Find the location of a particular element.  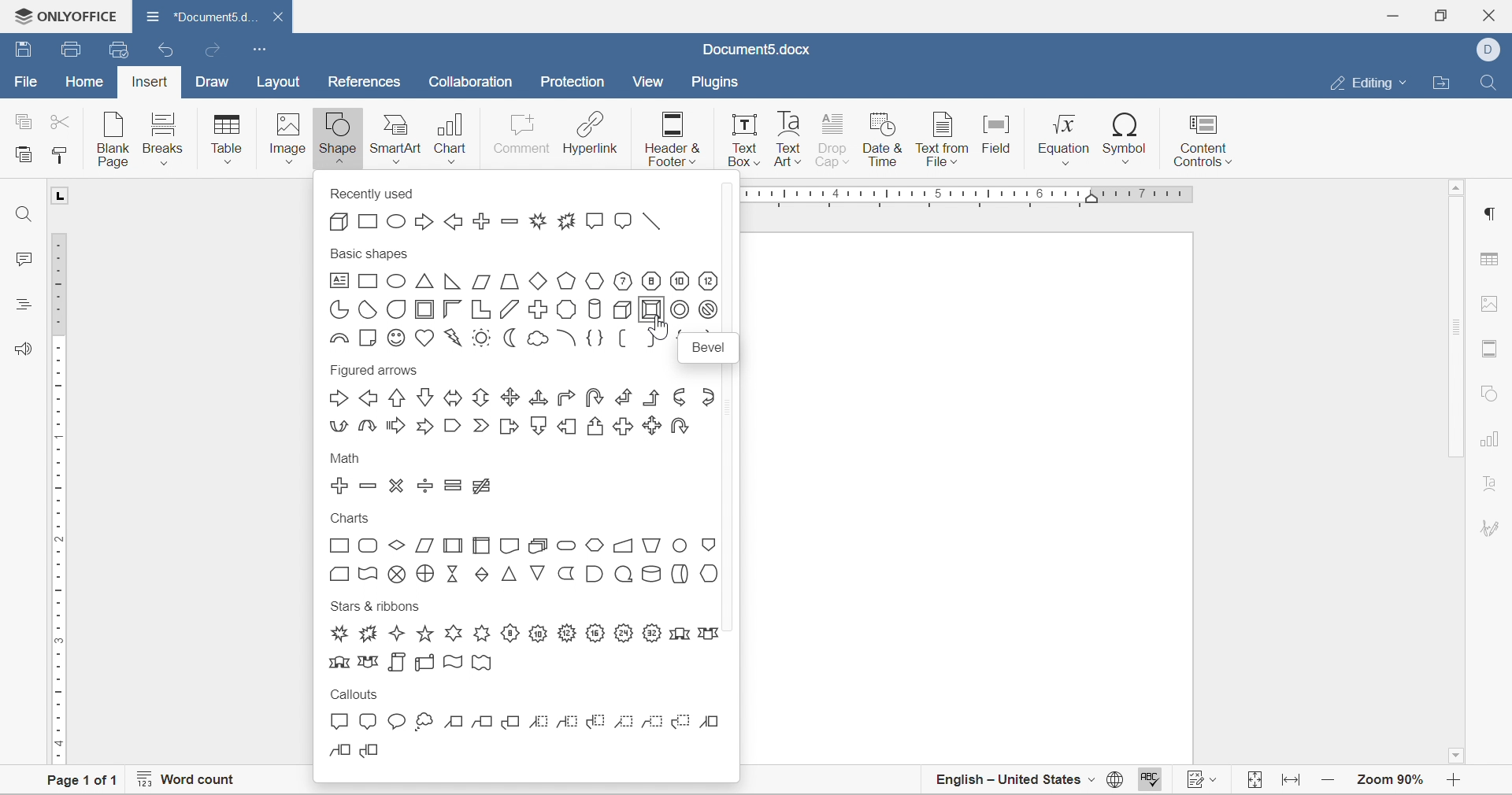

chart is located at coordinates (450, 133).